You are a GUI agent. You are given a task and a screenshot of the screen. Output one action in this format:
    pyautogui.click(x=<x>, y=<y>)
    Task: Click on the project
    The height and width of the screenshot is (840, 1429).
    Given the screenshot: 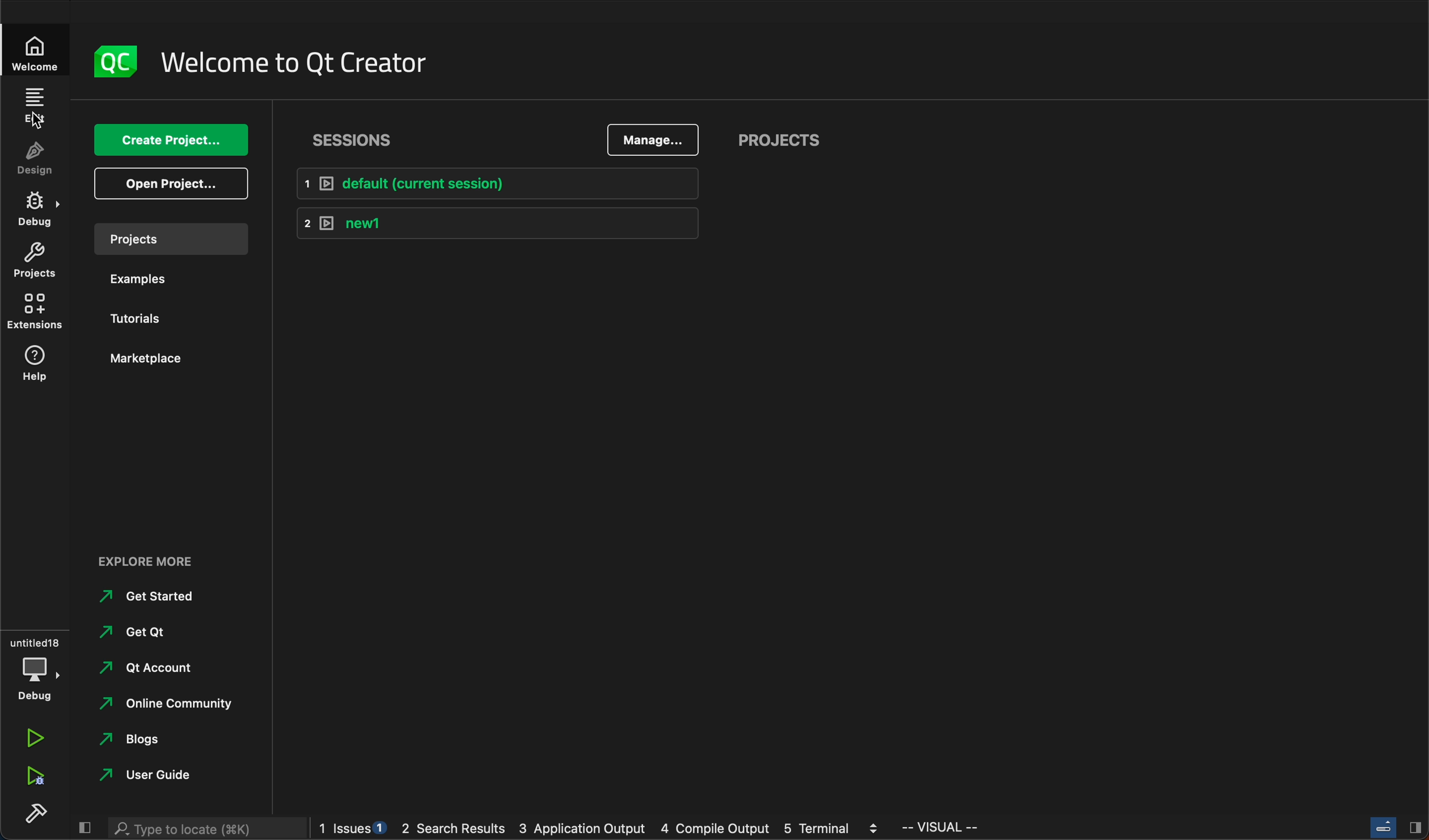 What is the action you would take?
    pyautogui.click(x=166, y=236)
    